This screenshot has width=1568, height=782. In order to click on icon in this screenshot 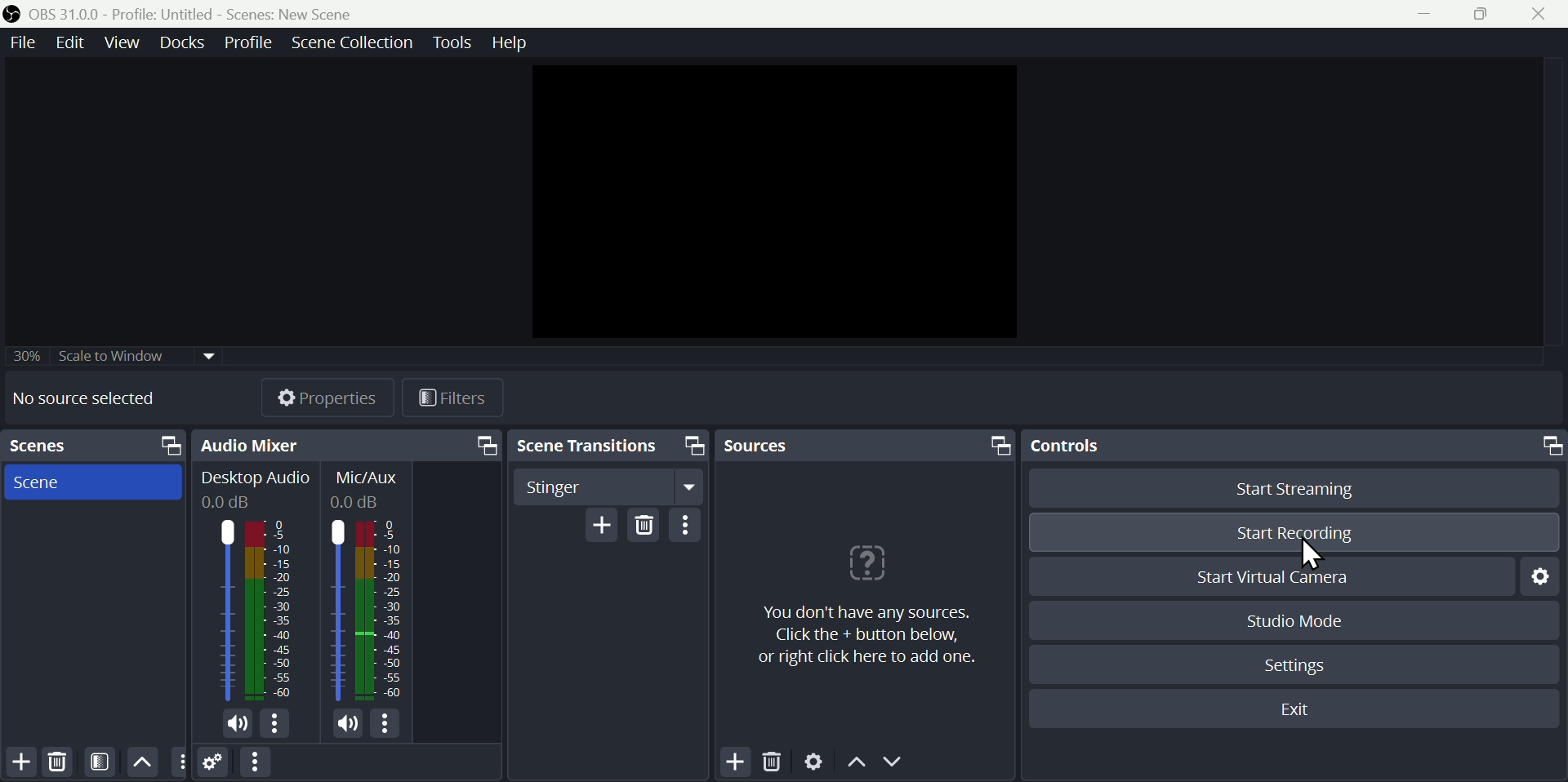, I will do `click(867, 565)`.